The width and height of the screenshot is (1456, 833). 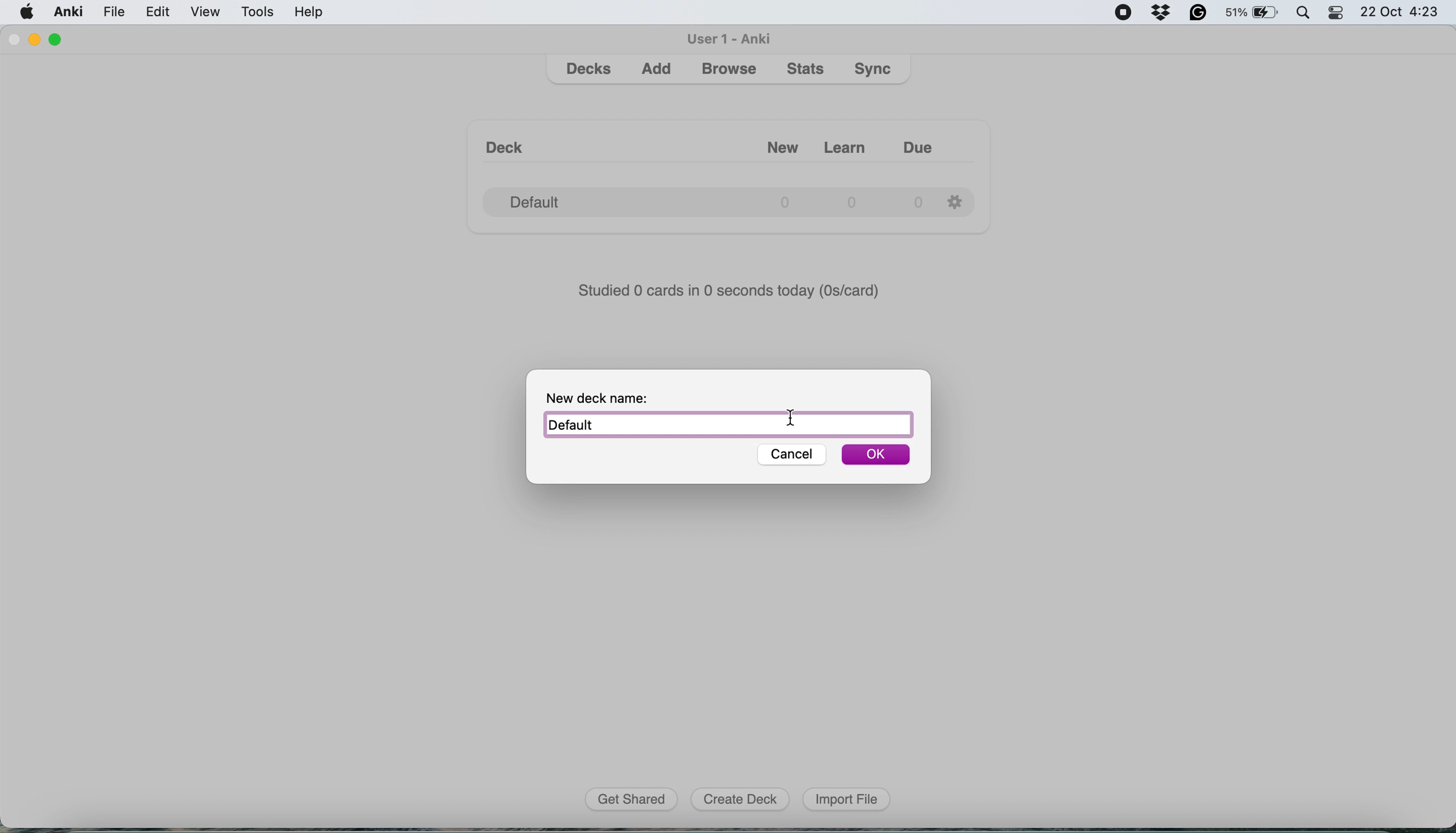 I want to click on add, so click(x=659, y=72).